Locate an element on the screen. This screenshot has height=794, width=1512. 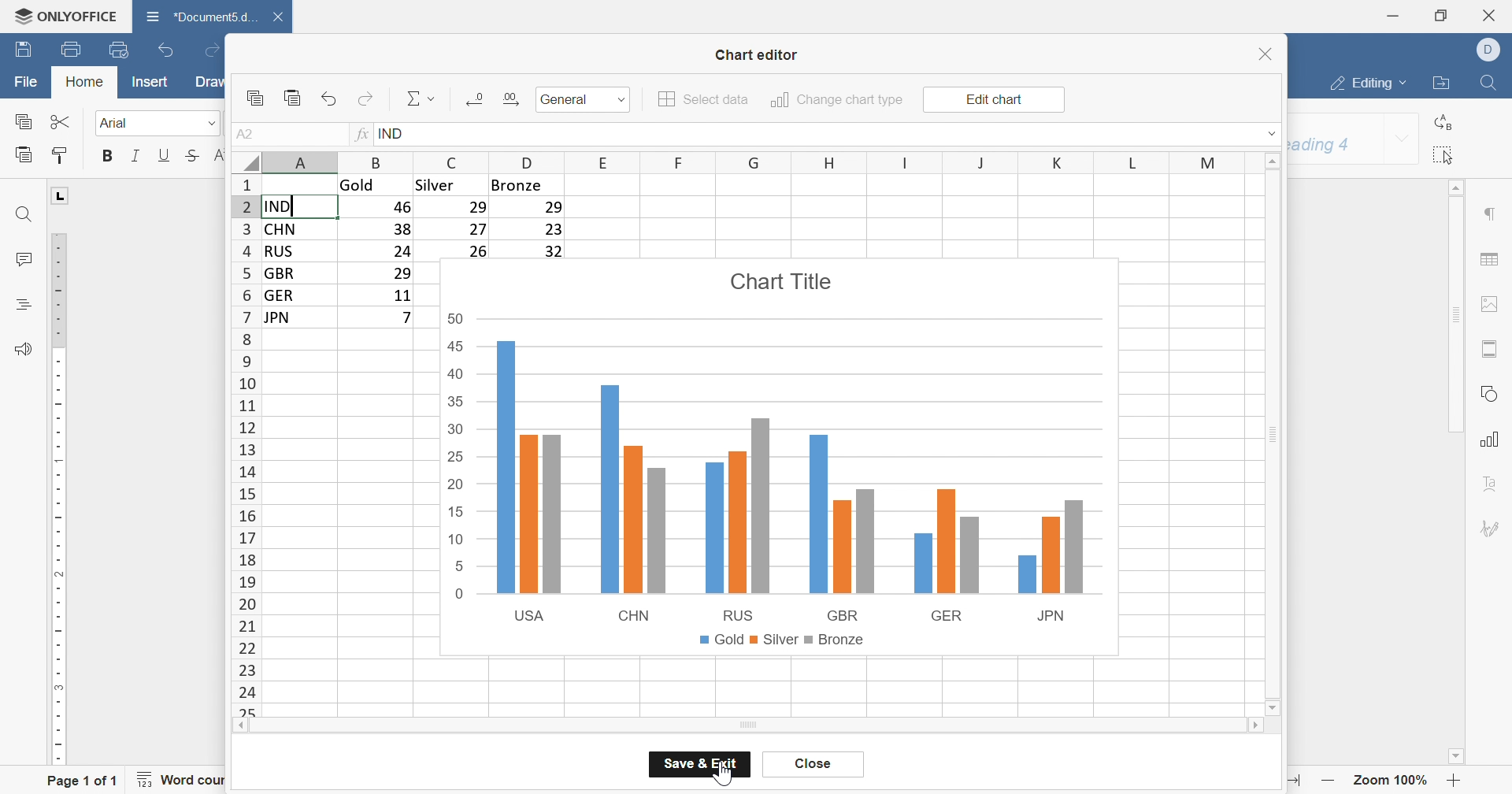
headings is located at coordinates (24, 305).